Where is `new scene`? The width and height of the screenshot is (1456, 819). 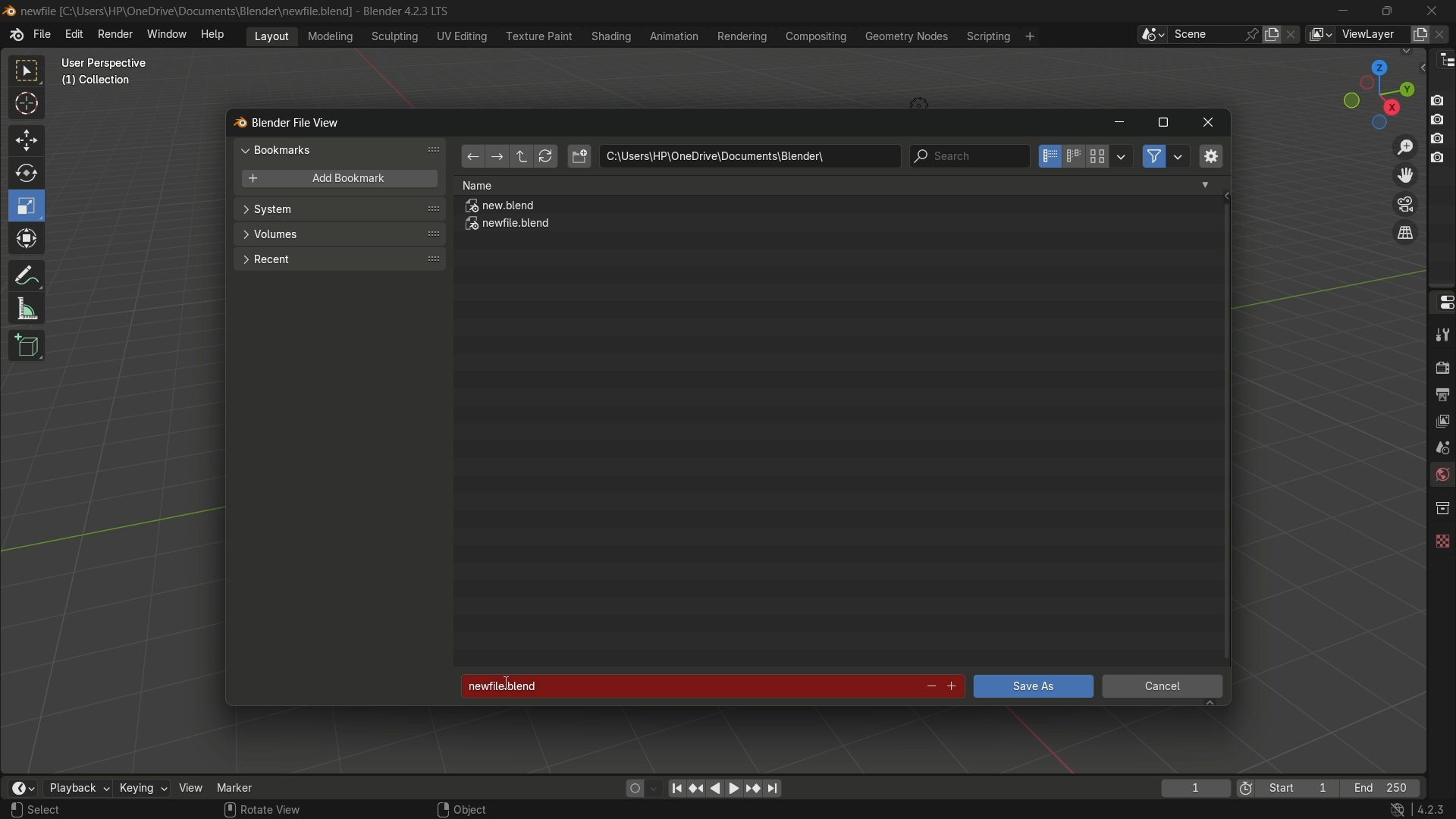
new scene is located at coordinates (1275, 34).